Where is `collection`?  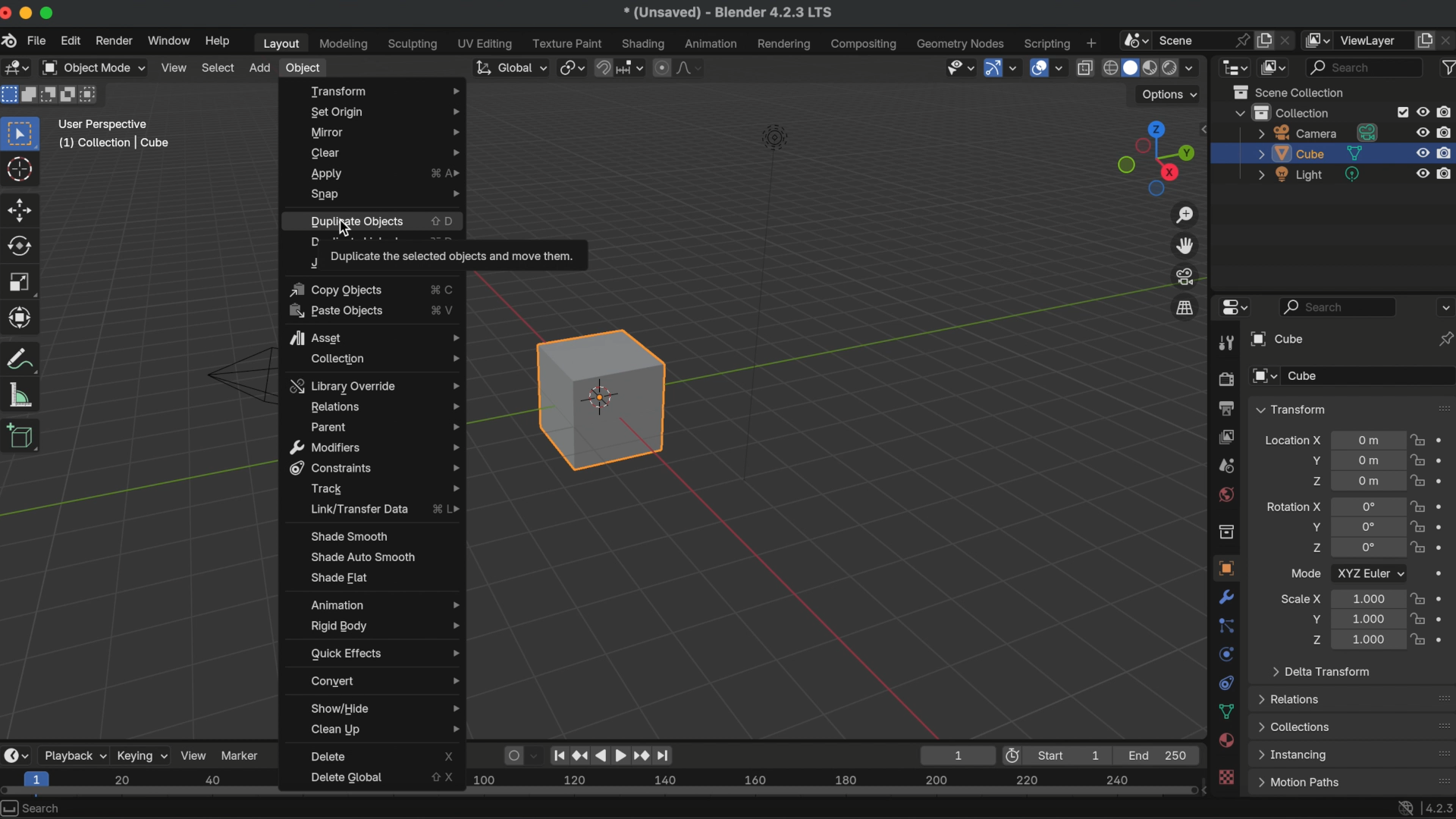 collection is located at coordinates (1282, 112).